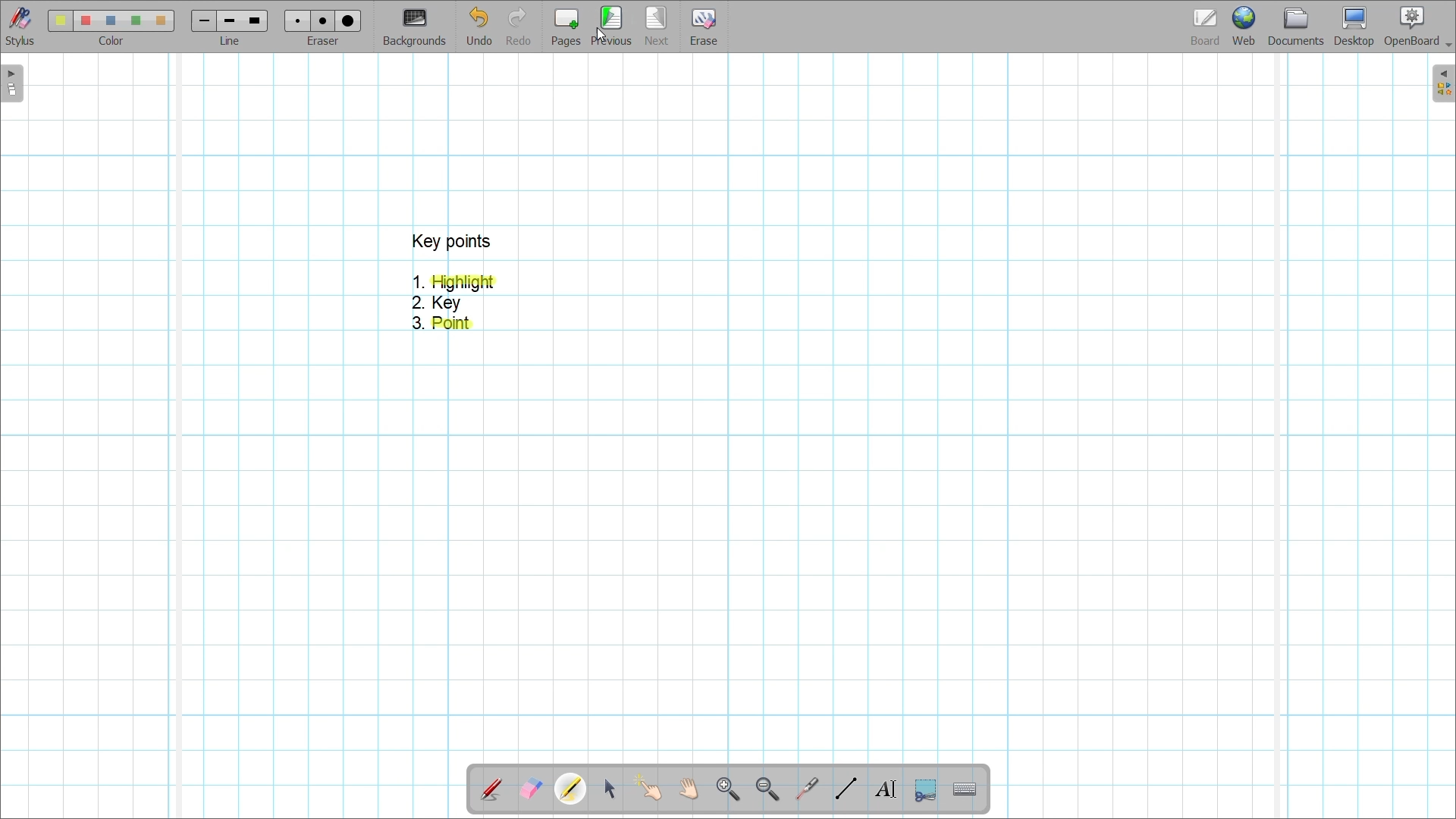  What do you see at coordinates (111, 21) in the screenshot?
I see `color3` at bounding box center [111, 21].